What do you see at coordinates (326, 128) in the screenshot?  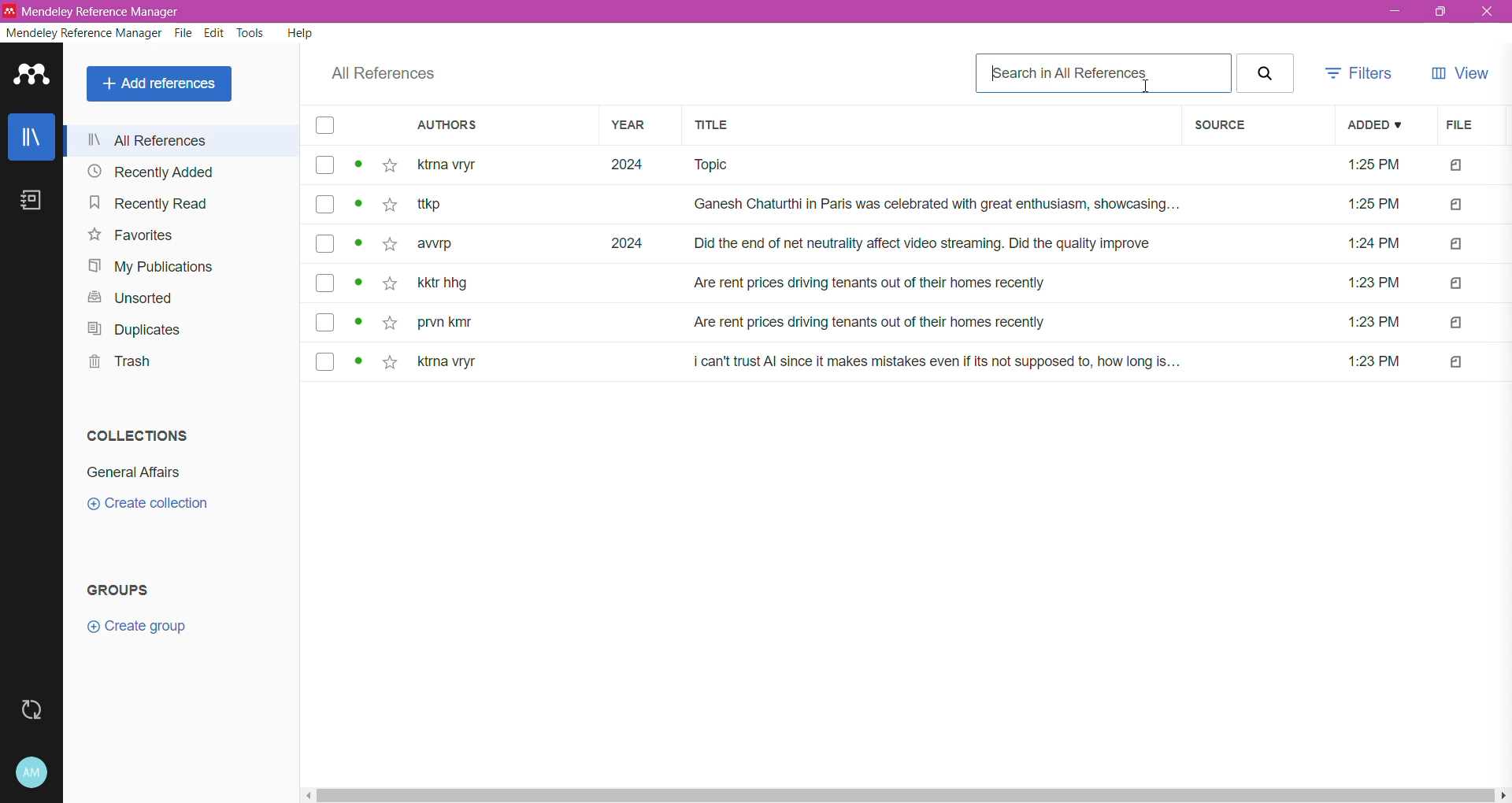 I see `select all` at bounding box center [326, 128].